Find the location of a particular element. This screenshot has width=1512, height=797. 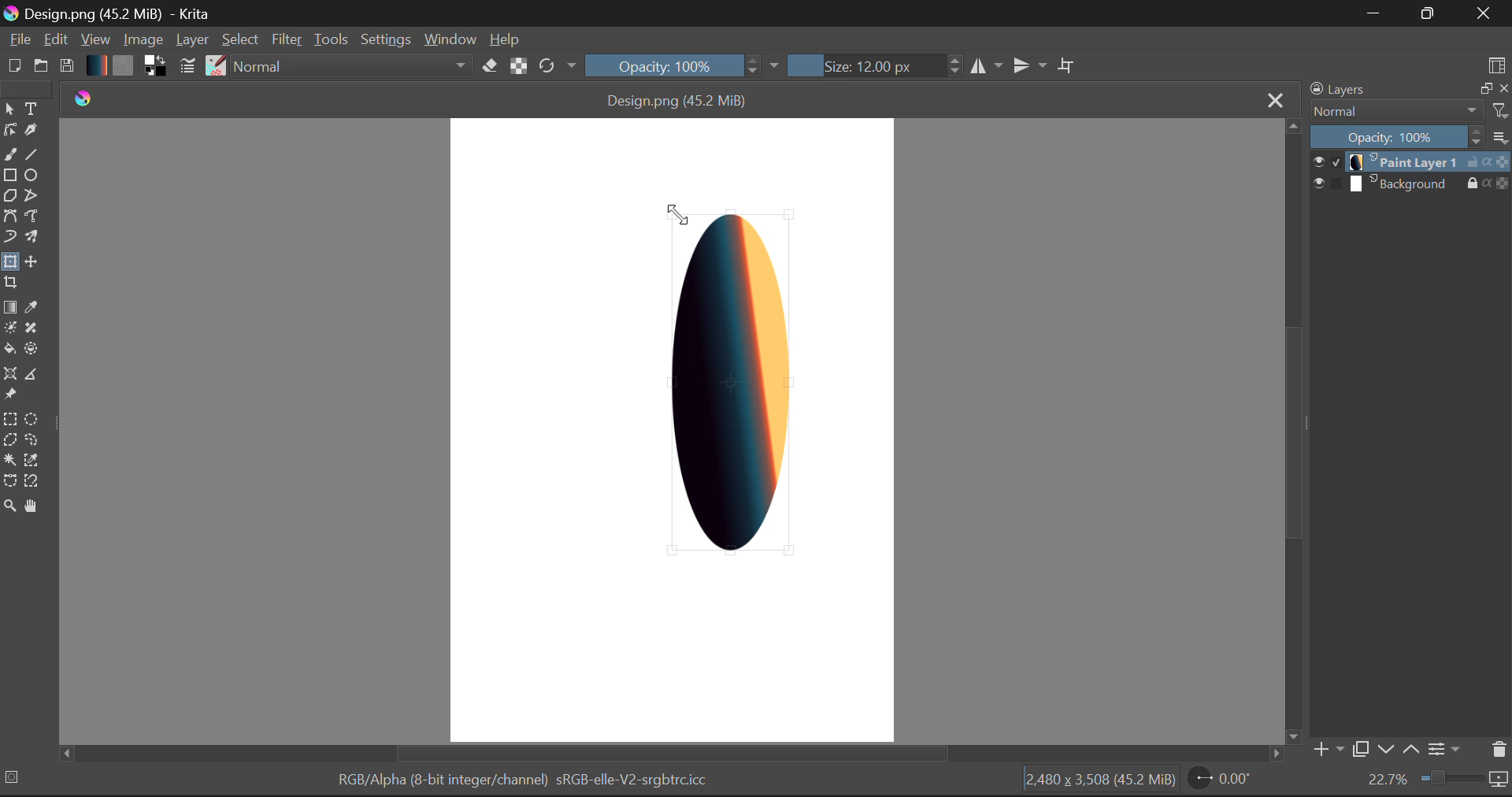

Add Layer is located at coordinates (1327, 750).